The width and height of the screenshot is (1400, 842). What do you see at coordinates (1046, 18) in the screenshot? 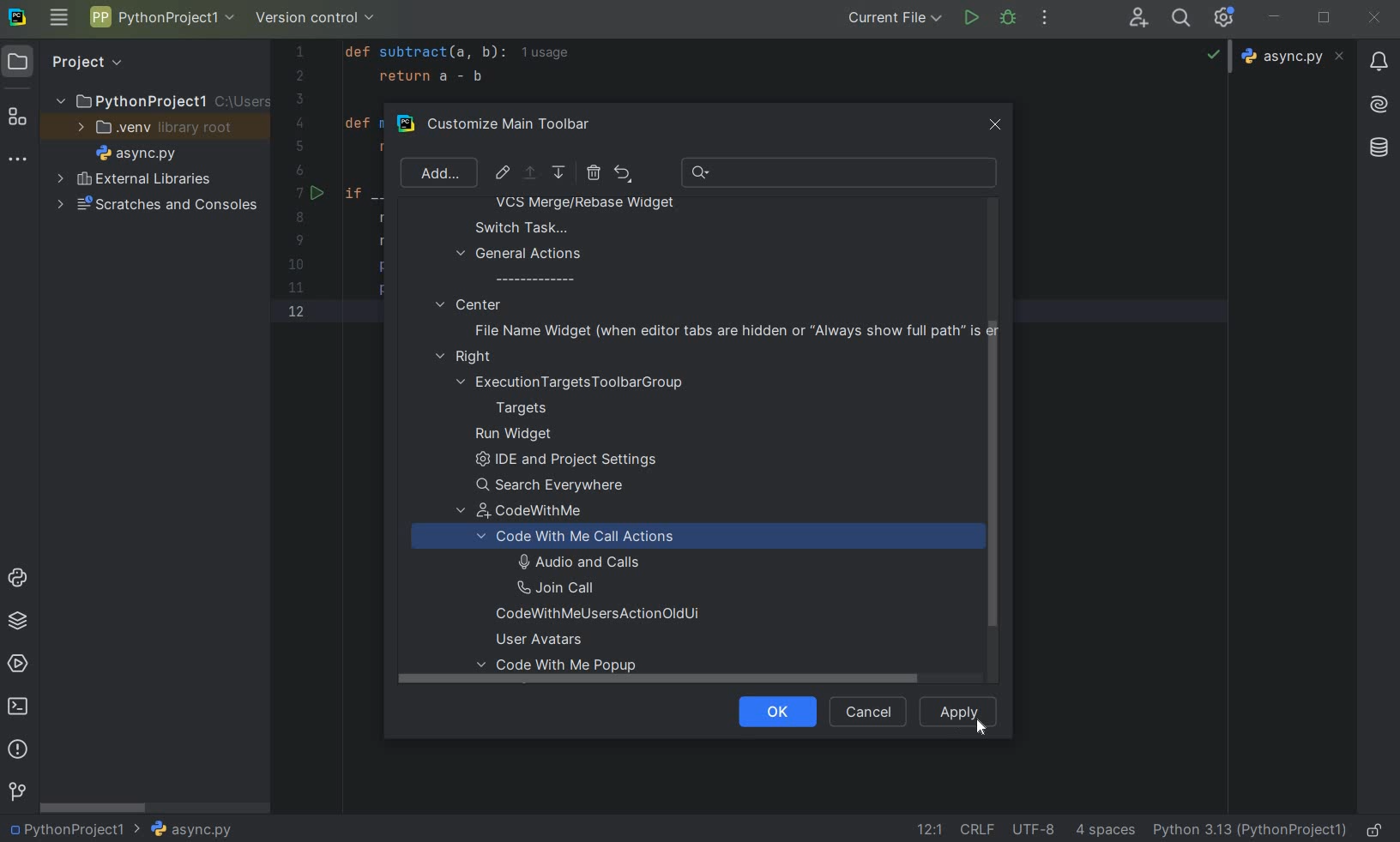
I see `MORE ACTIONS` at bounding box center [1046, 18].